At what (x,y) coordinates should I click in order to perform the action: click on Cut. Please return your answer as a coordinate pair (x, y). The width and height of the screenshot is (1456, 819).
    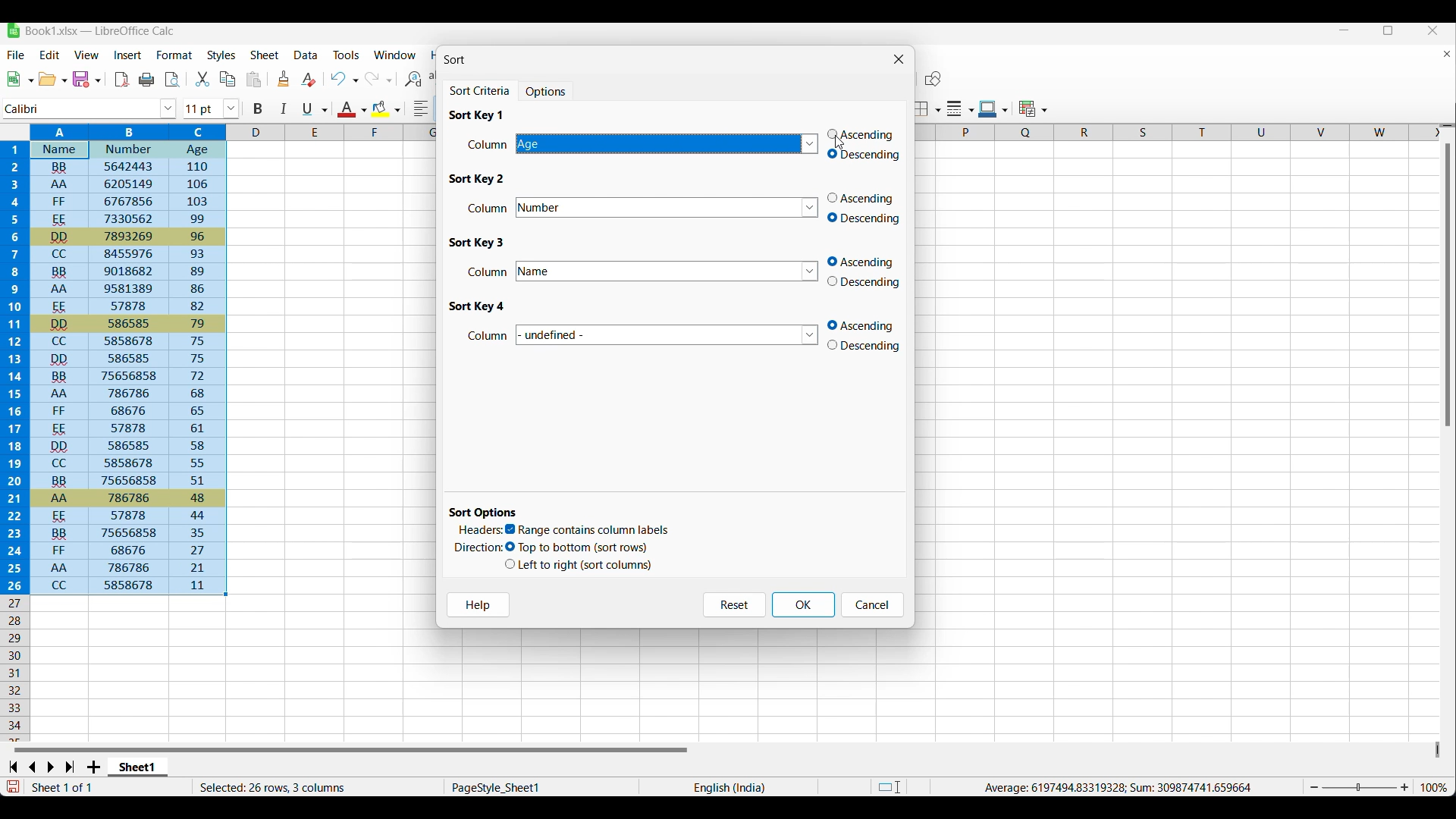
    Looking at the image, I should click on (202, 79).